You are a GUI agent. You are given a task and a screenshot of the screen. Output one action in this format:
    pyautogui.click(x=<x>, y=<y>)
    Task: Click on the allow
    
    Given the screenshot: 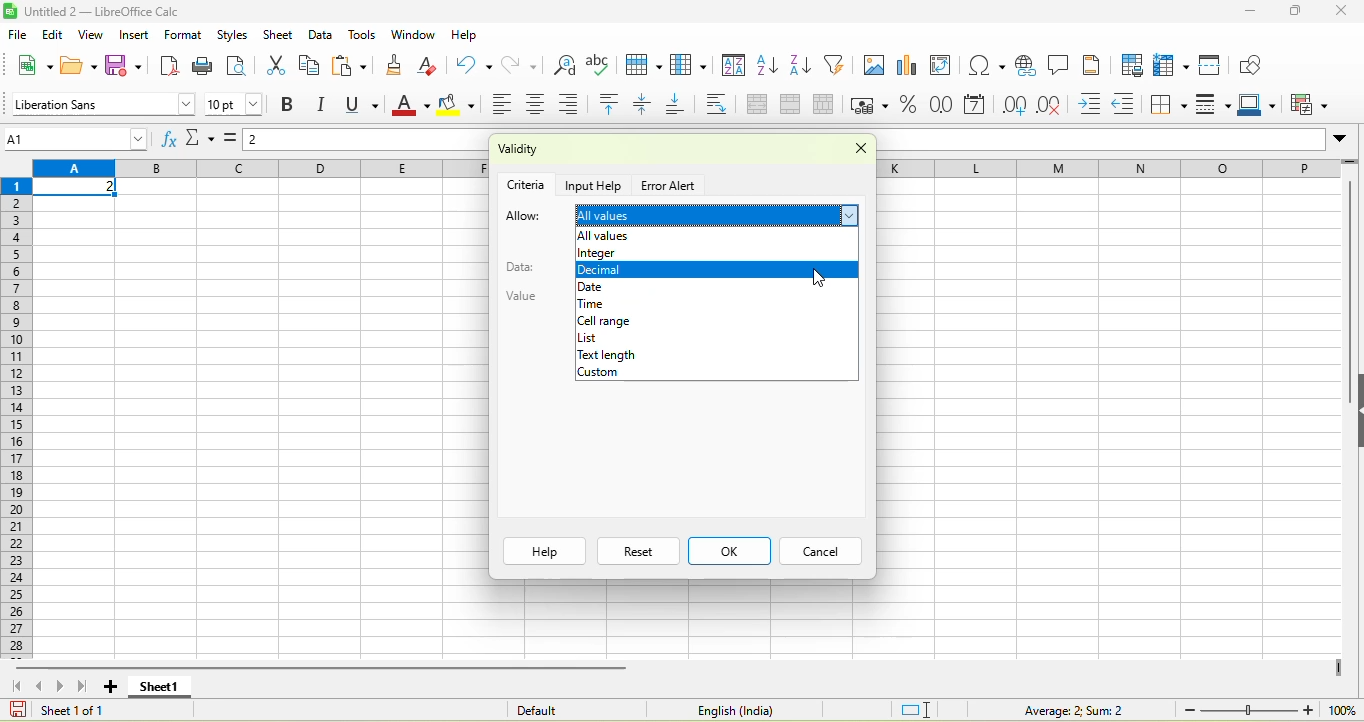 What is the action you would take?
    pyautogui.click(x=524, y=217)
    